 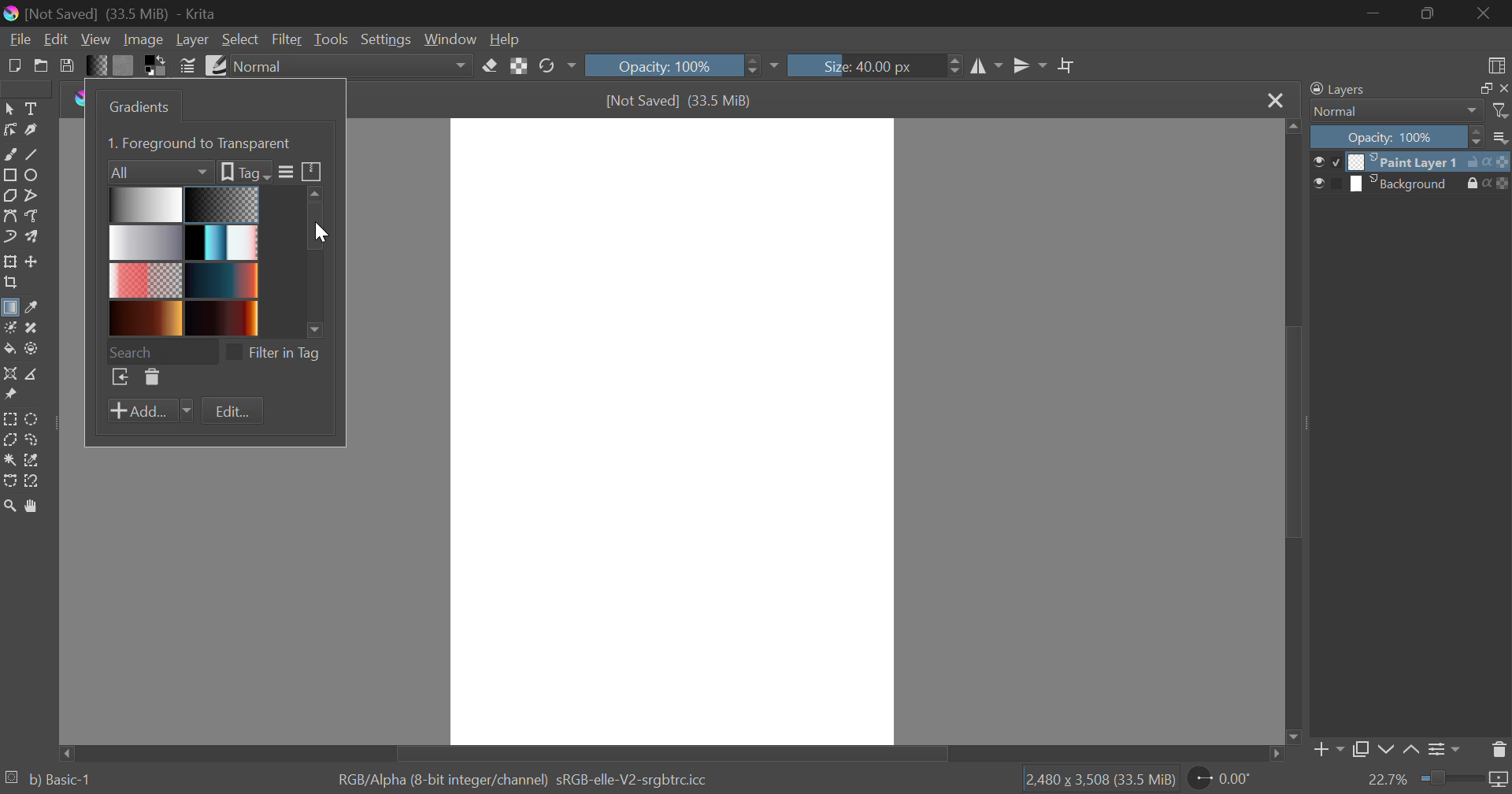 I want to click on Calligraphic Line, so click(x=30, y=130).